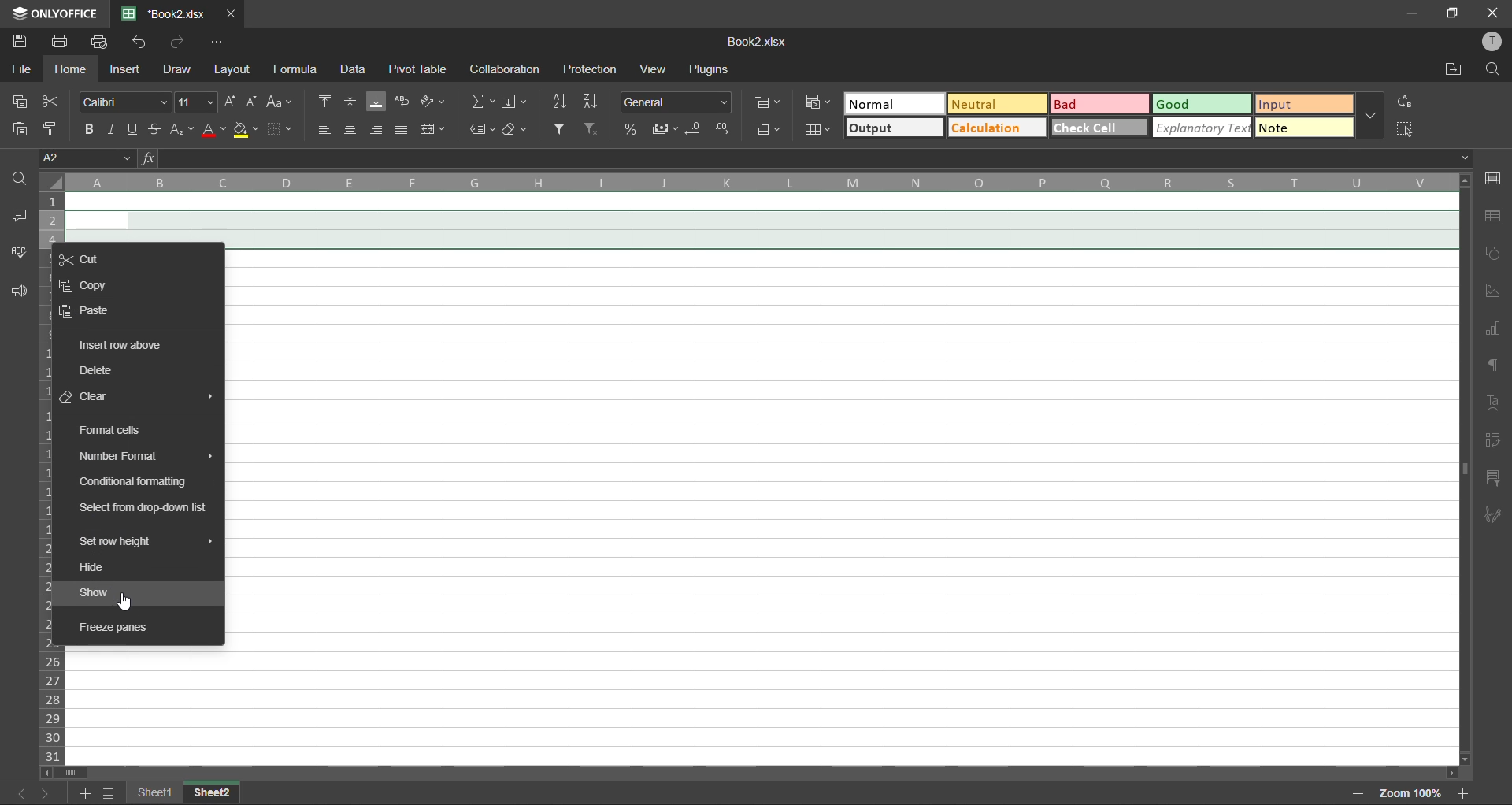  What do you see at coordinates (84, 792) in the screenshot?
I see `add sheet` at bounding box center [84, 792].